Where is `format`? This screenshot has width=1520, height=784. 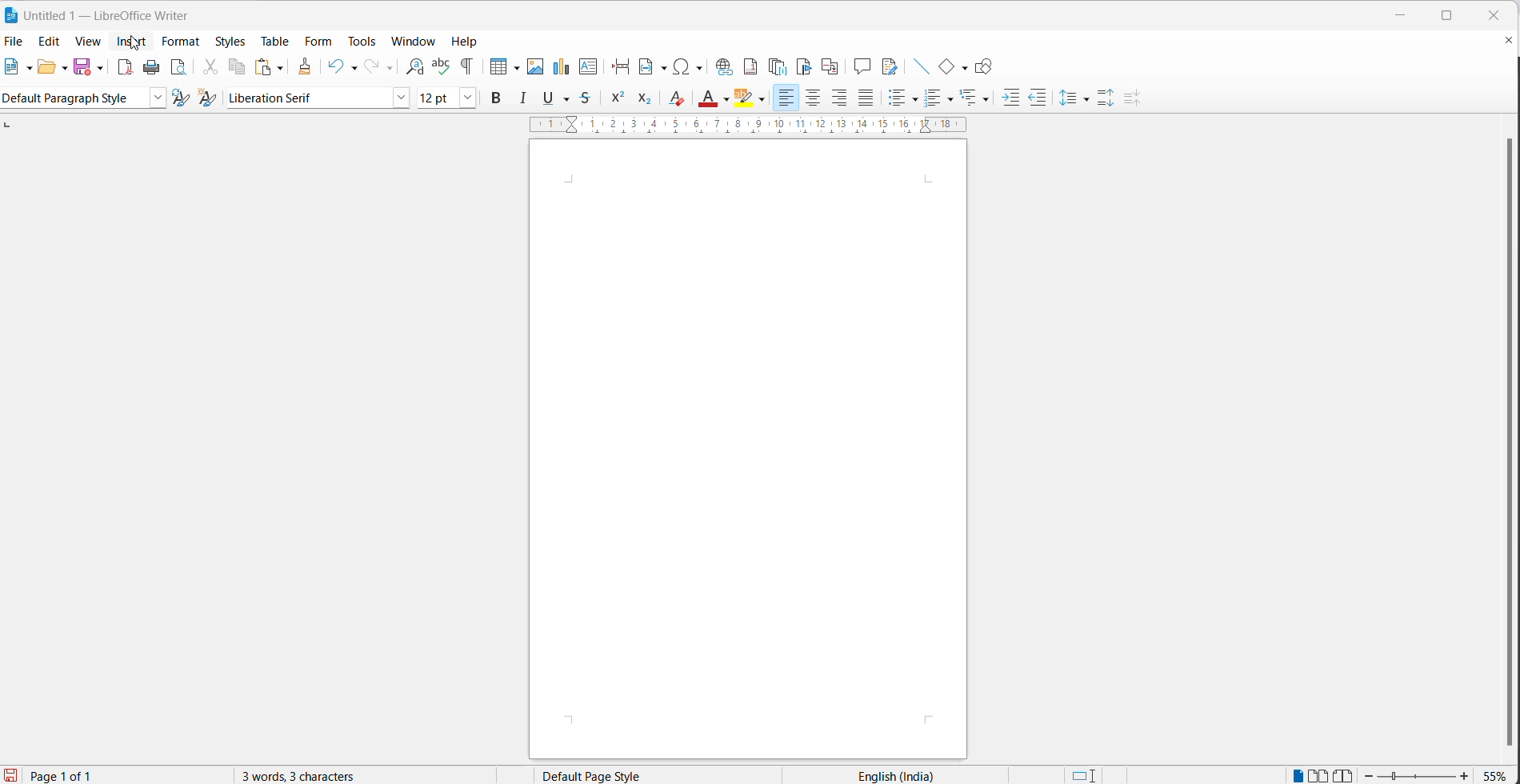
format is located at coordinates (180, 41).